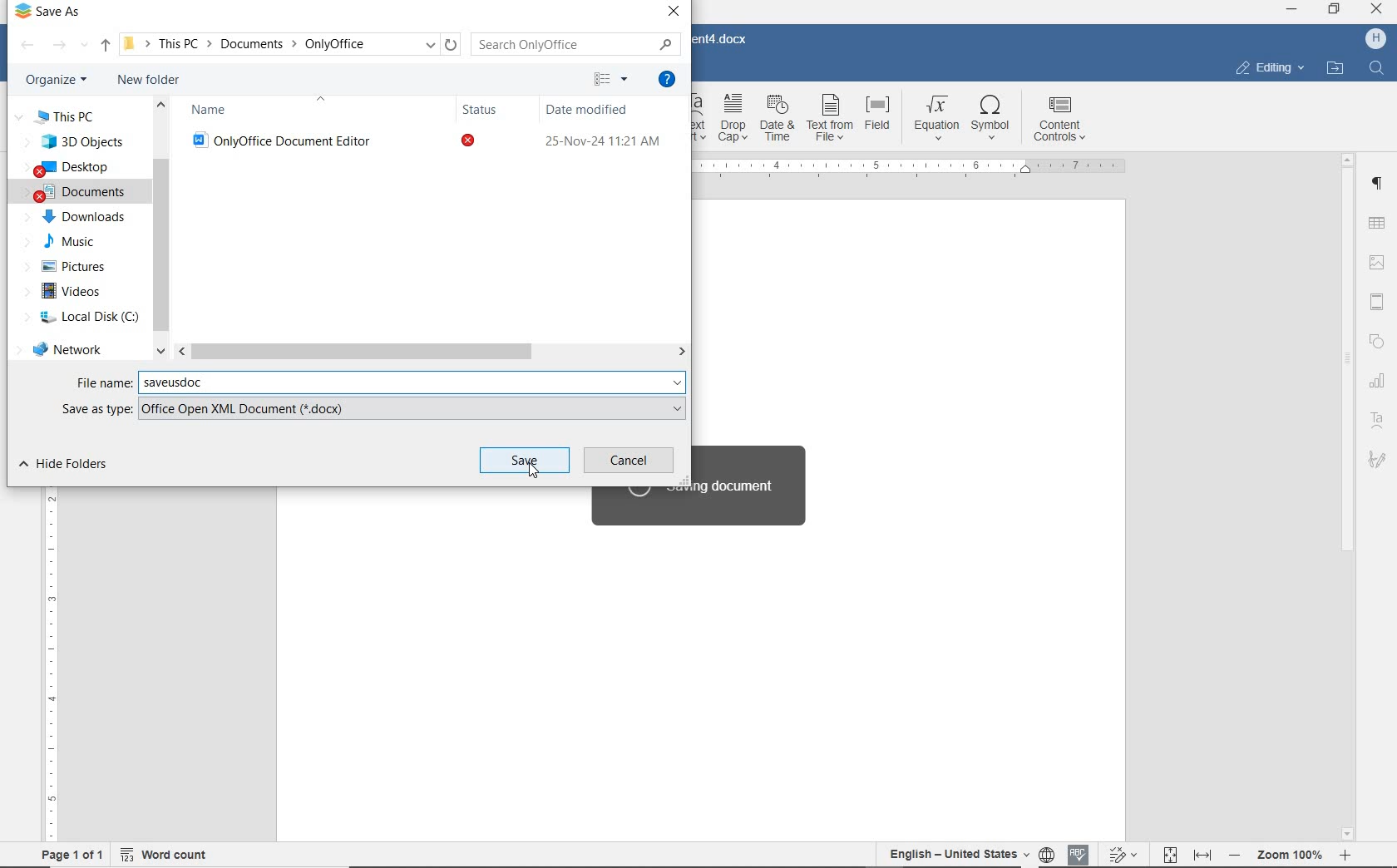 This screenshot has width=1397, height=868. What do you see at coordinates (477, 144) in the screenshot?
I see `status` at bounding box center [477, 144].